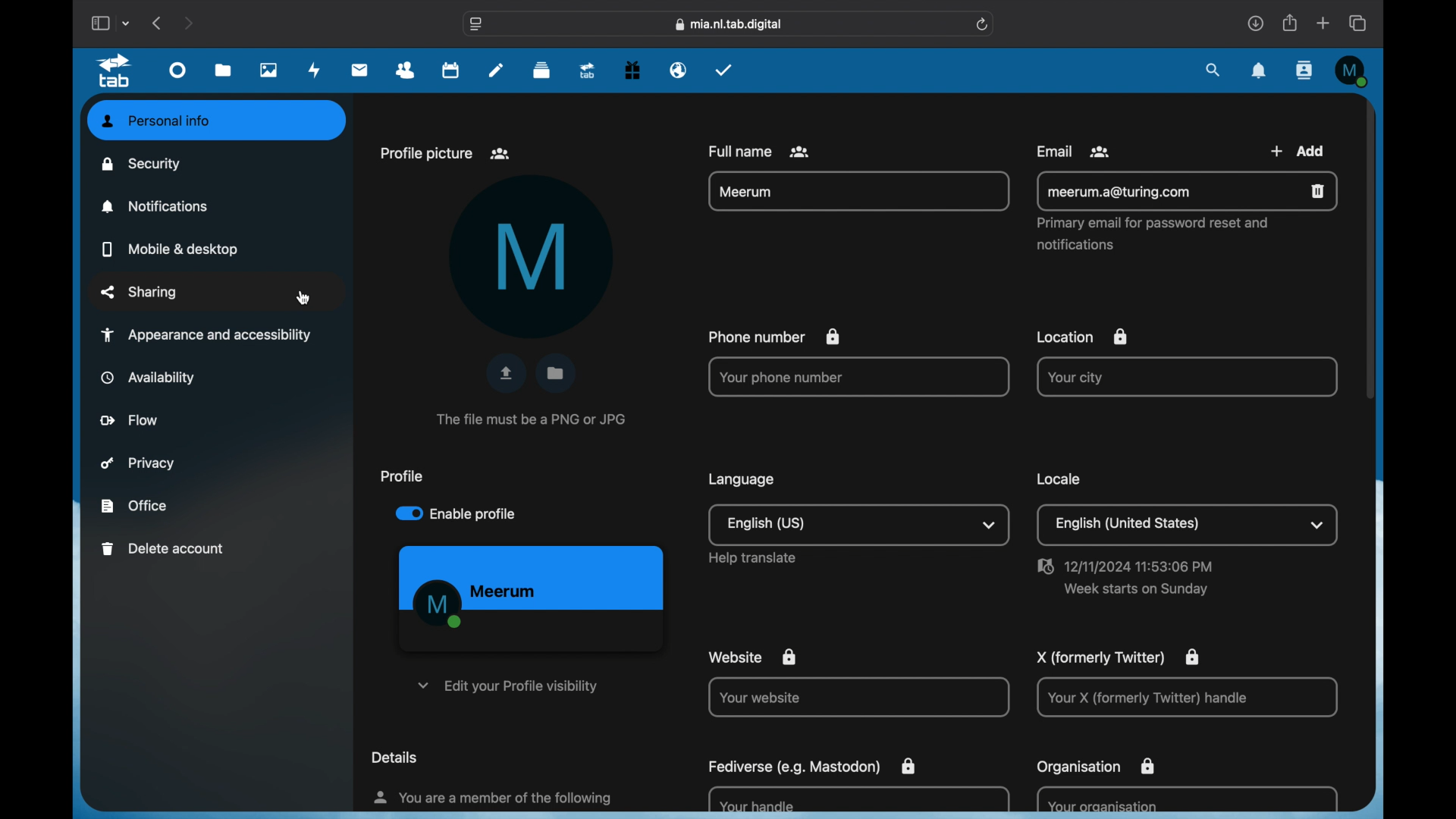 The height and width of the screenshot is (819, 1456). What do you see at coordinates (130, 419) in the screenshot?
I see `flow` at bounding box center [130, 419].